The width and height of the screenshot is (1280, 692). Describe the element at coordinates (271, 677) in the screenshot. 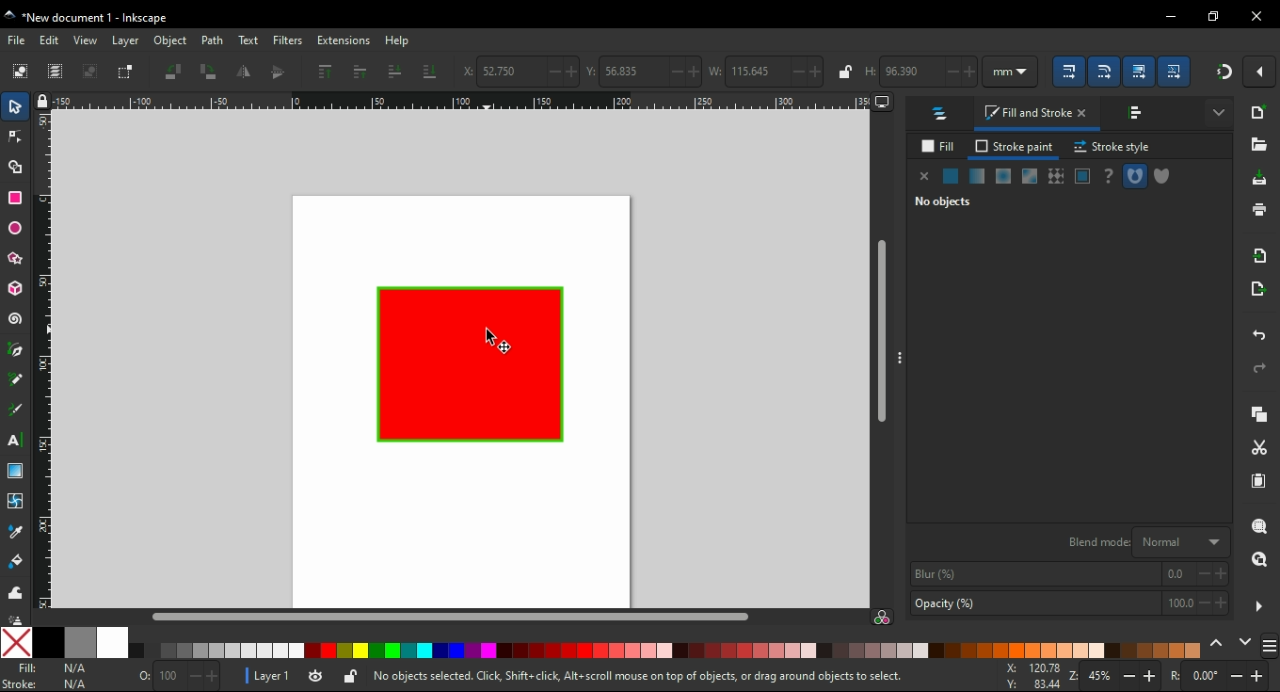

I see `layer1` at that location.